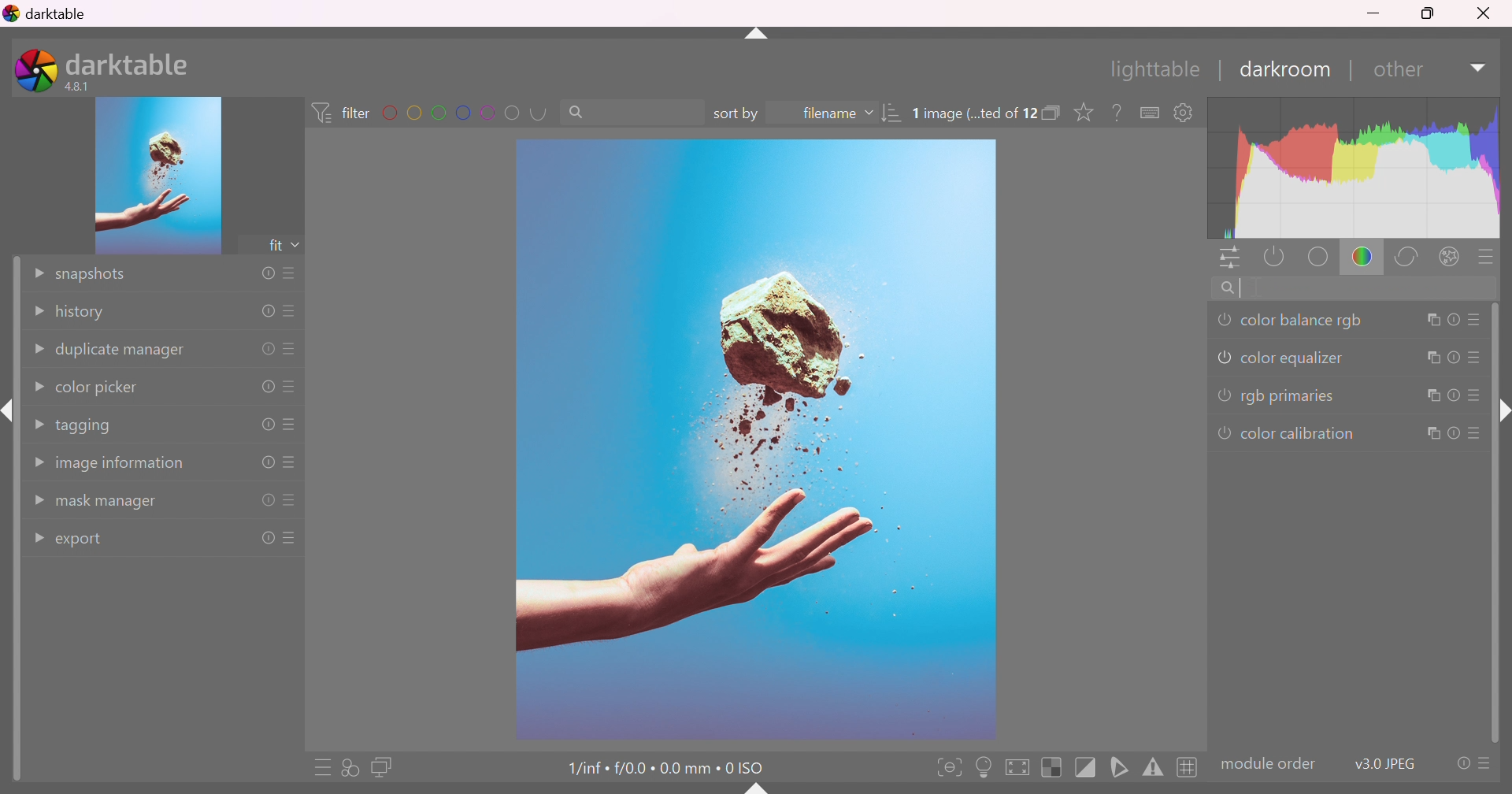  I want to click on effect, so click(1451, 257).